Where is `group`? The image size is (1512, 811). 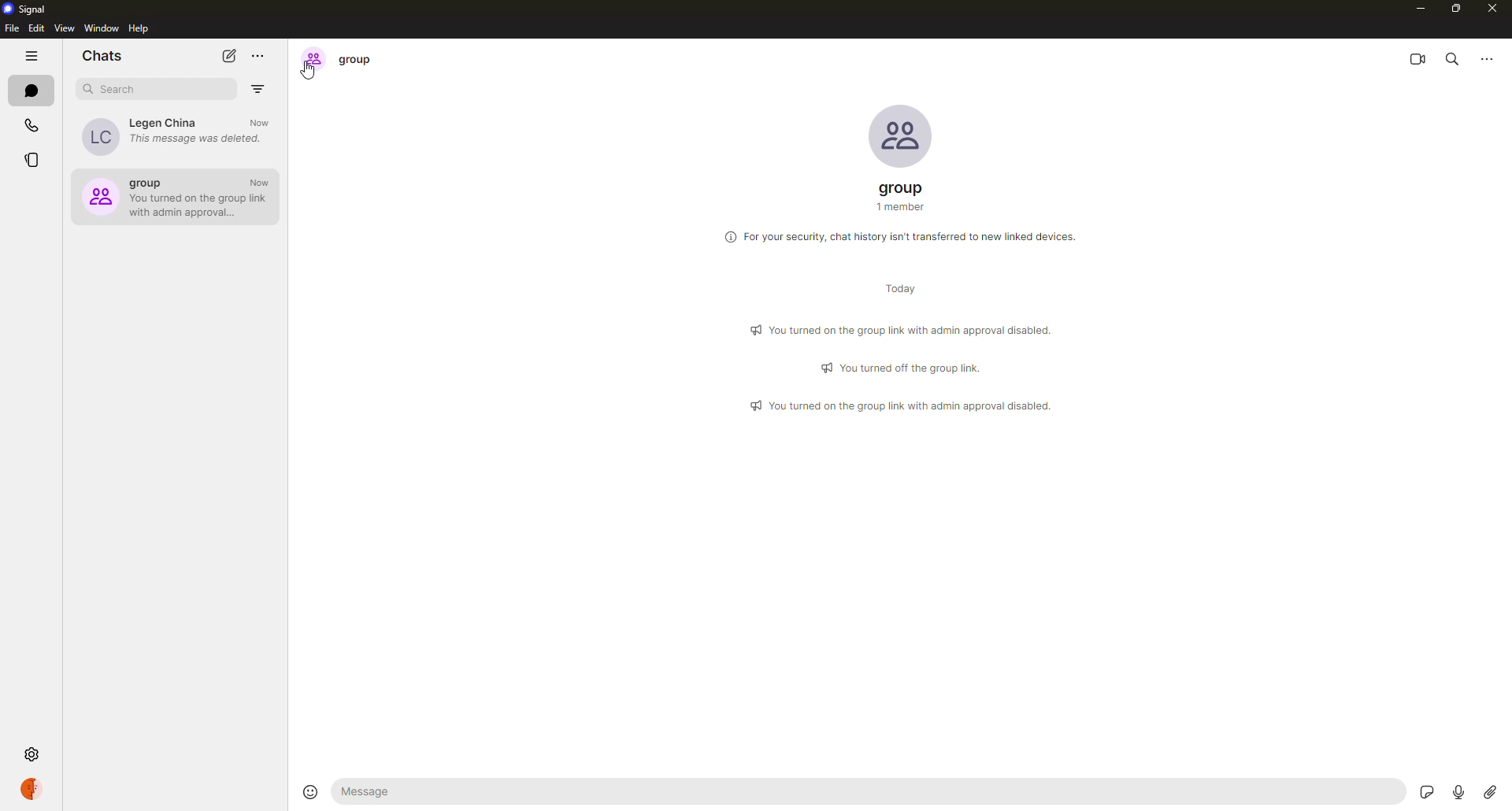 group is located at coordinates (177, 195).